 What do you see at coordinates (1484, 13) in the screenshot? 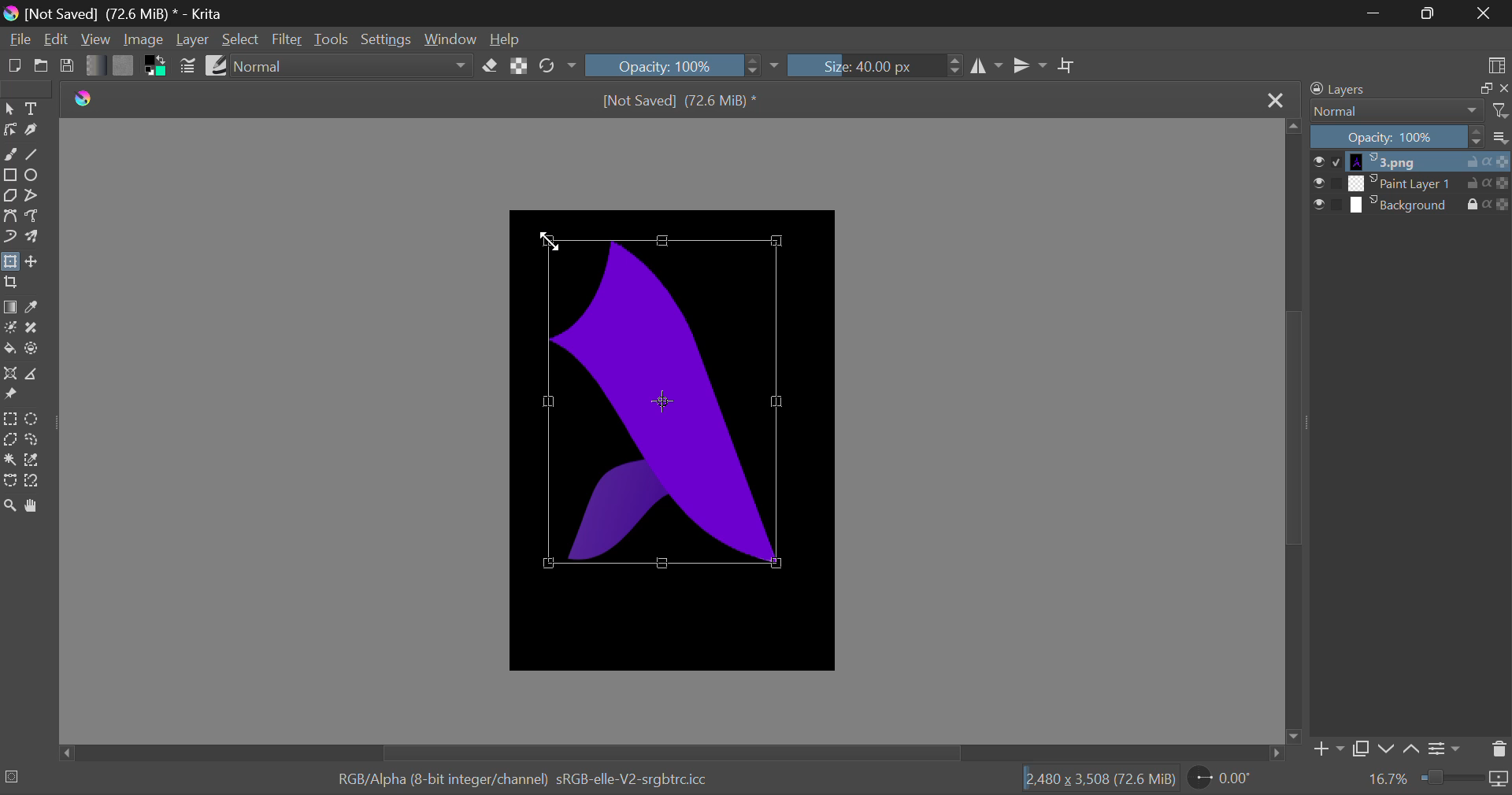
I see `Close` at bounding box center [1484, 13].